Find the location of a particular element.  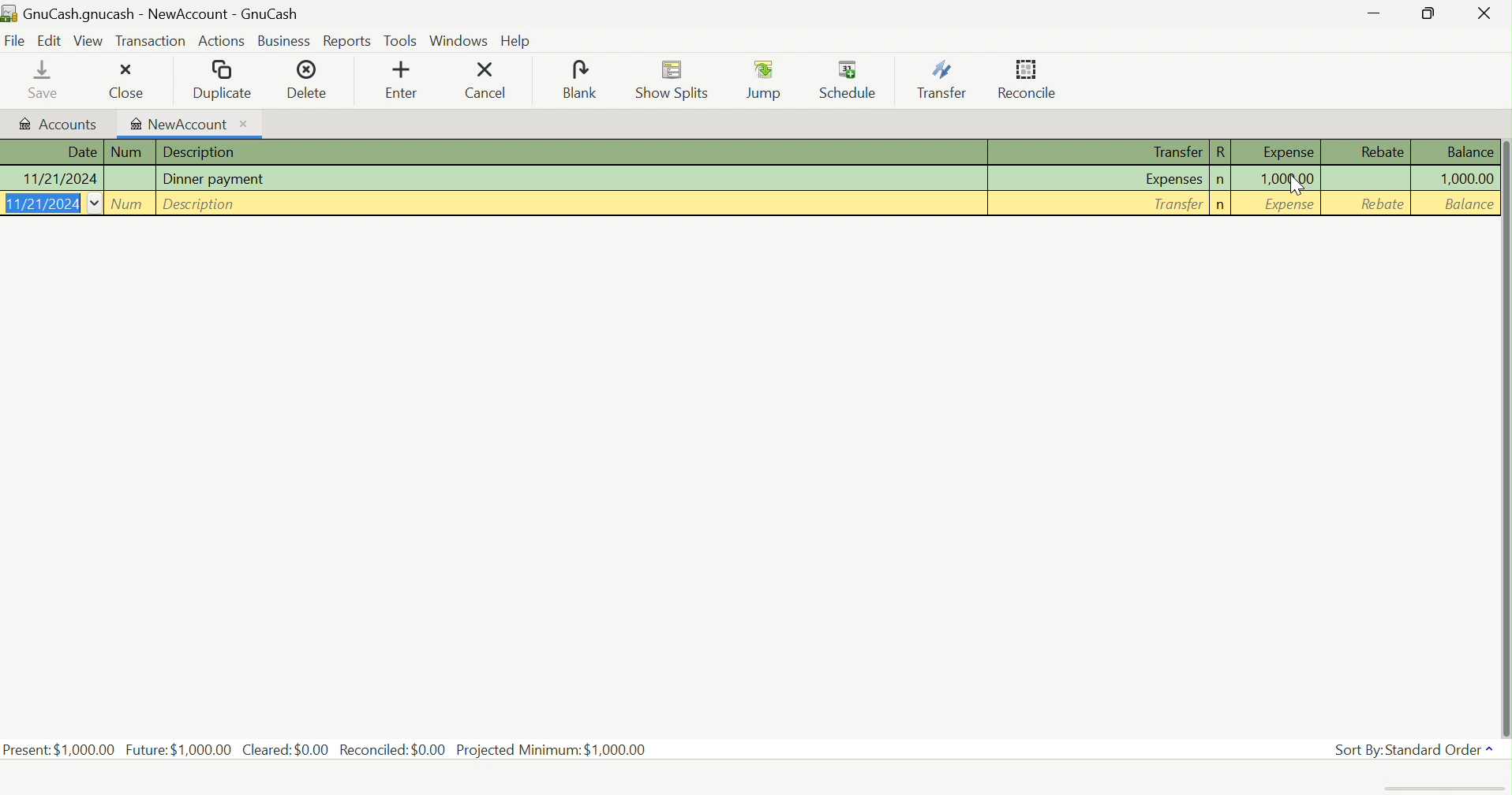

Accounts is located at coordinates (58, 122).